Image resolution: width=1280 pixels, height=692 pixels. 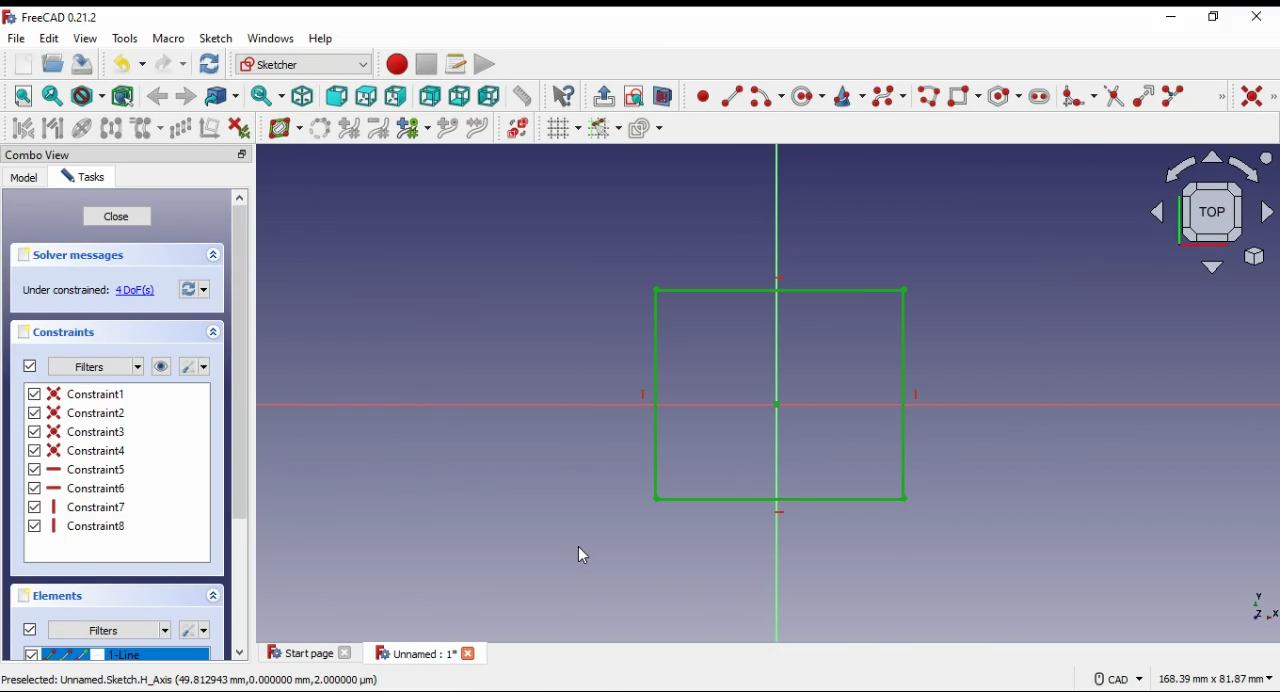 What do you see at coordinates (86, 430) in the screenshot?
I see `on/off constraint 3` at bounding box center [86, 430].